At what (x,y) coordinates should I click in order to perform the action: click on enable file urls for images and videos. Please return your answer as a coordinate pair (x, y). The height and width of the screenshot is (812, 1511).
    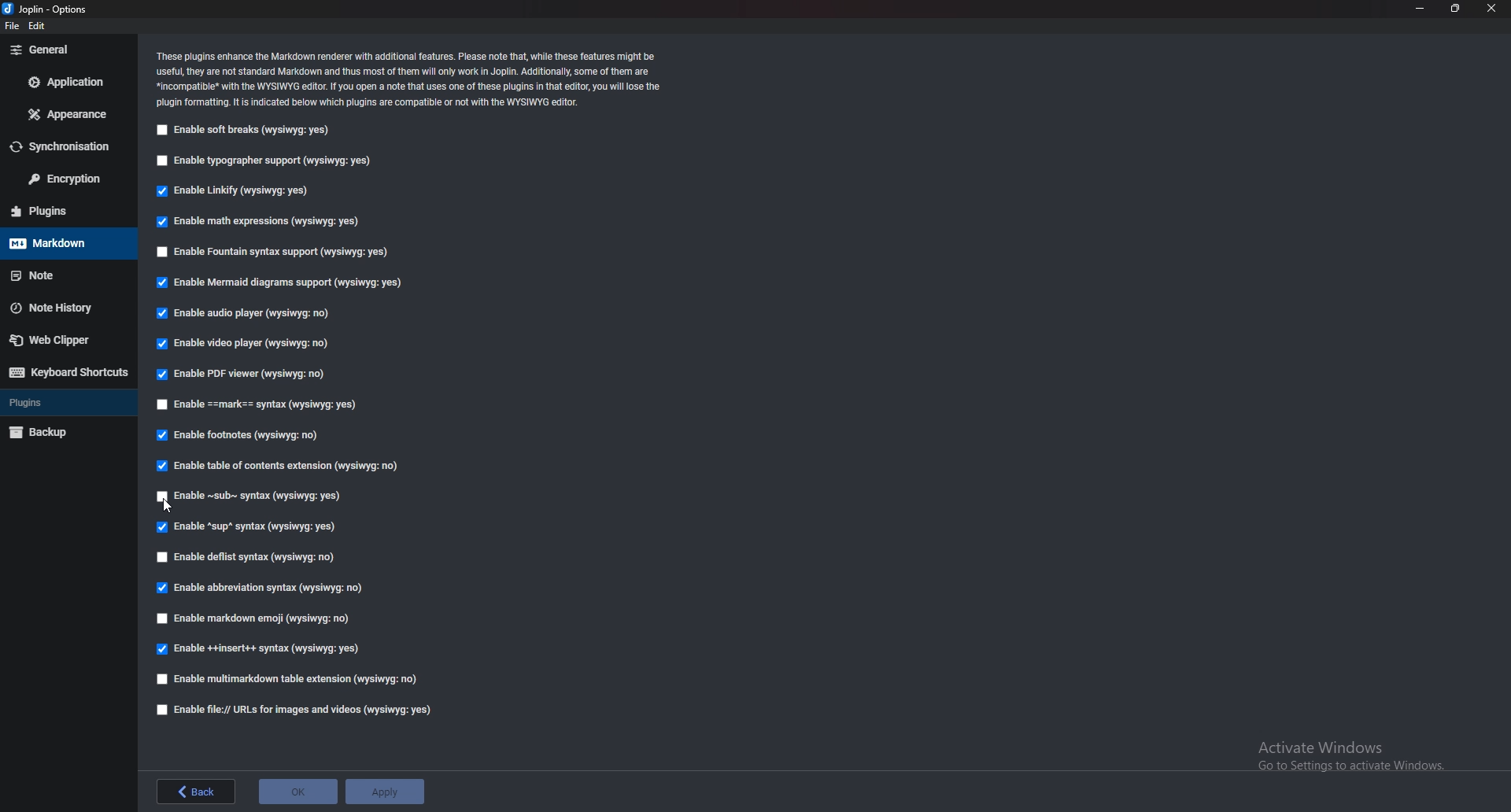
    Looking at the image, I should click on (294, 711).